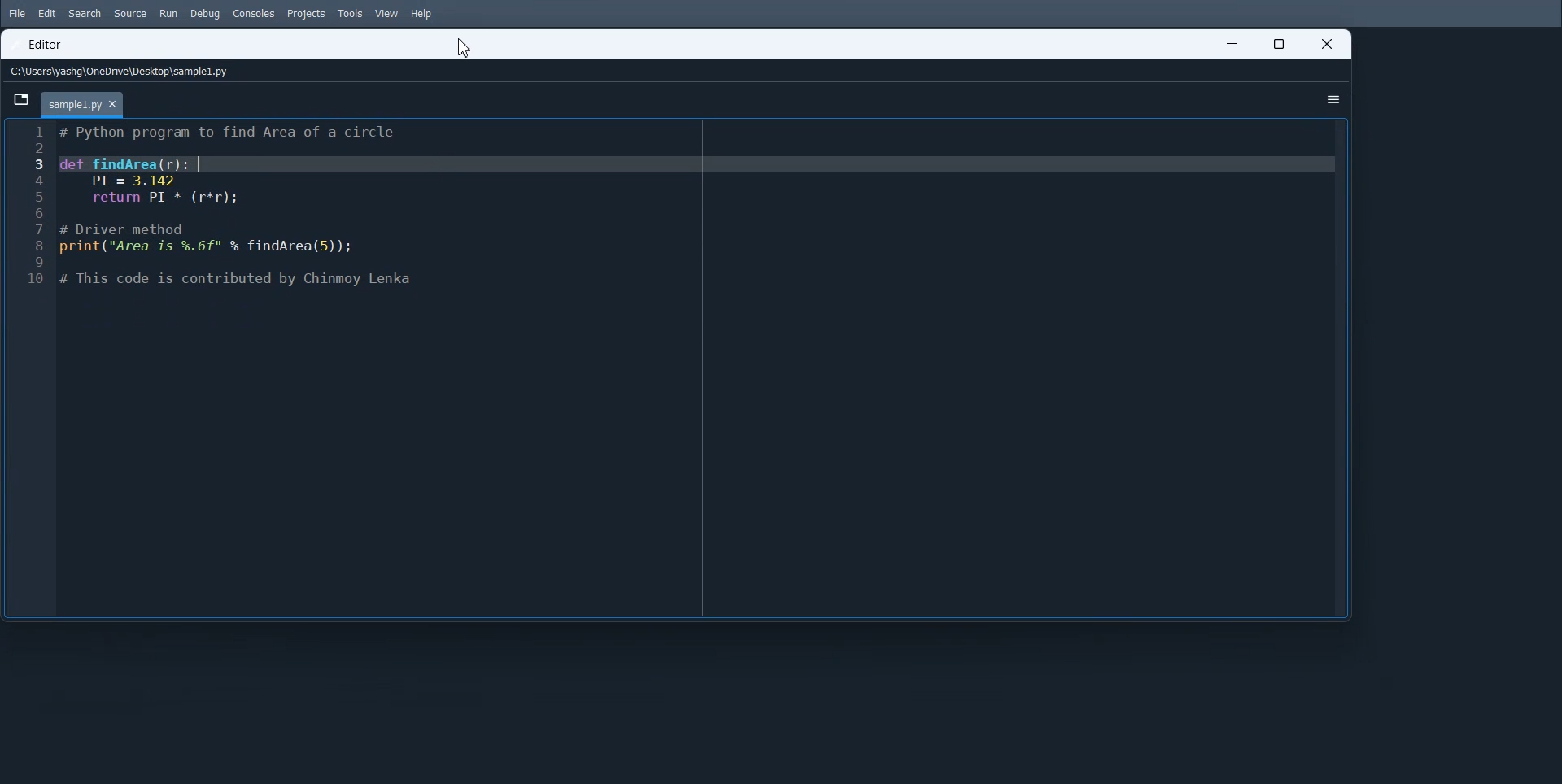 The height and width of the screenshot is (784, 1562). I want to click on Options, so click(1329, 100).